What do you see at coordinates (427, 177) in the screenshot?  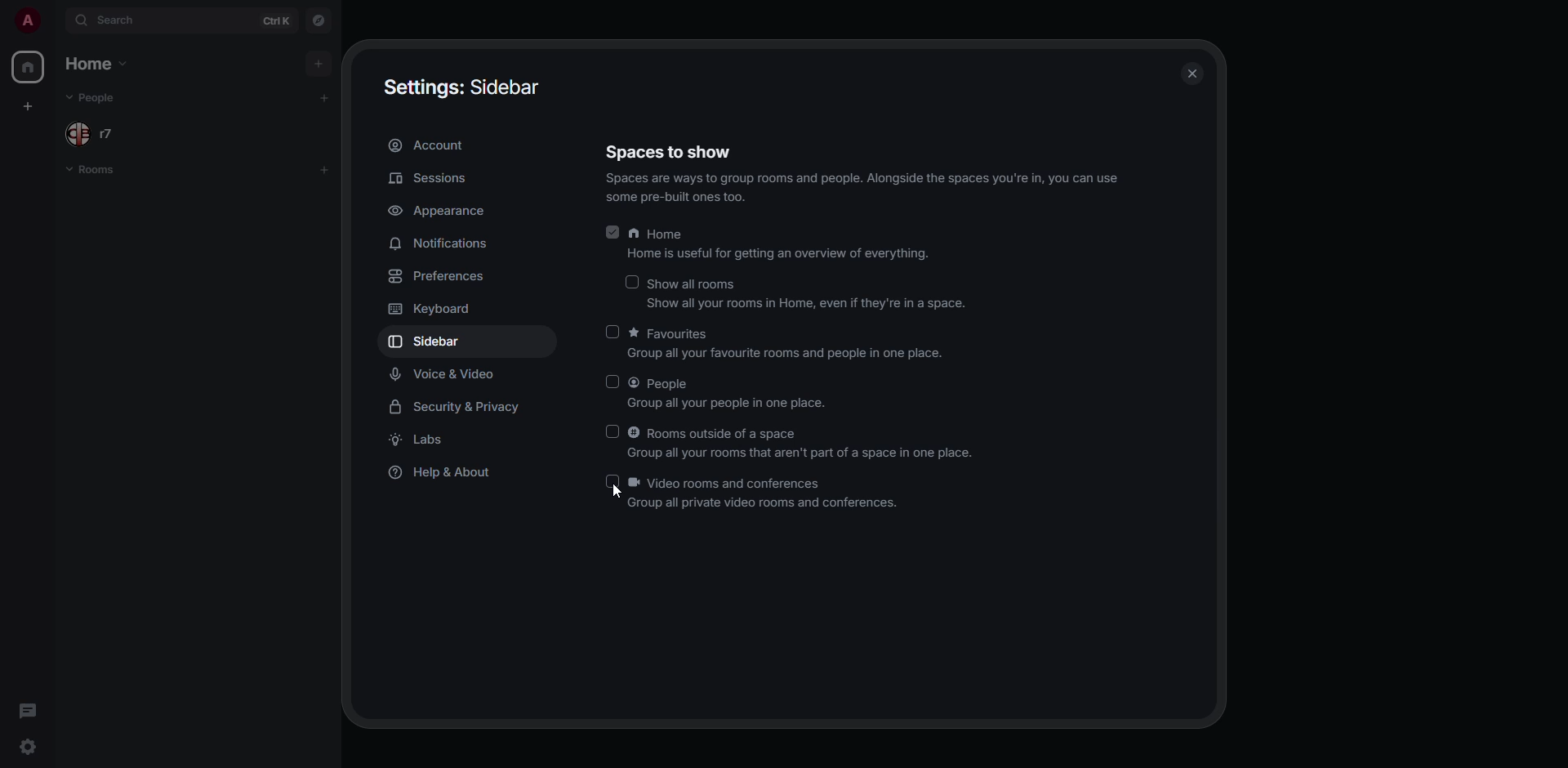 I see `sessions` at bounding box center [427, 177].